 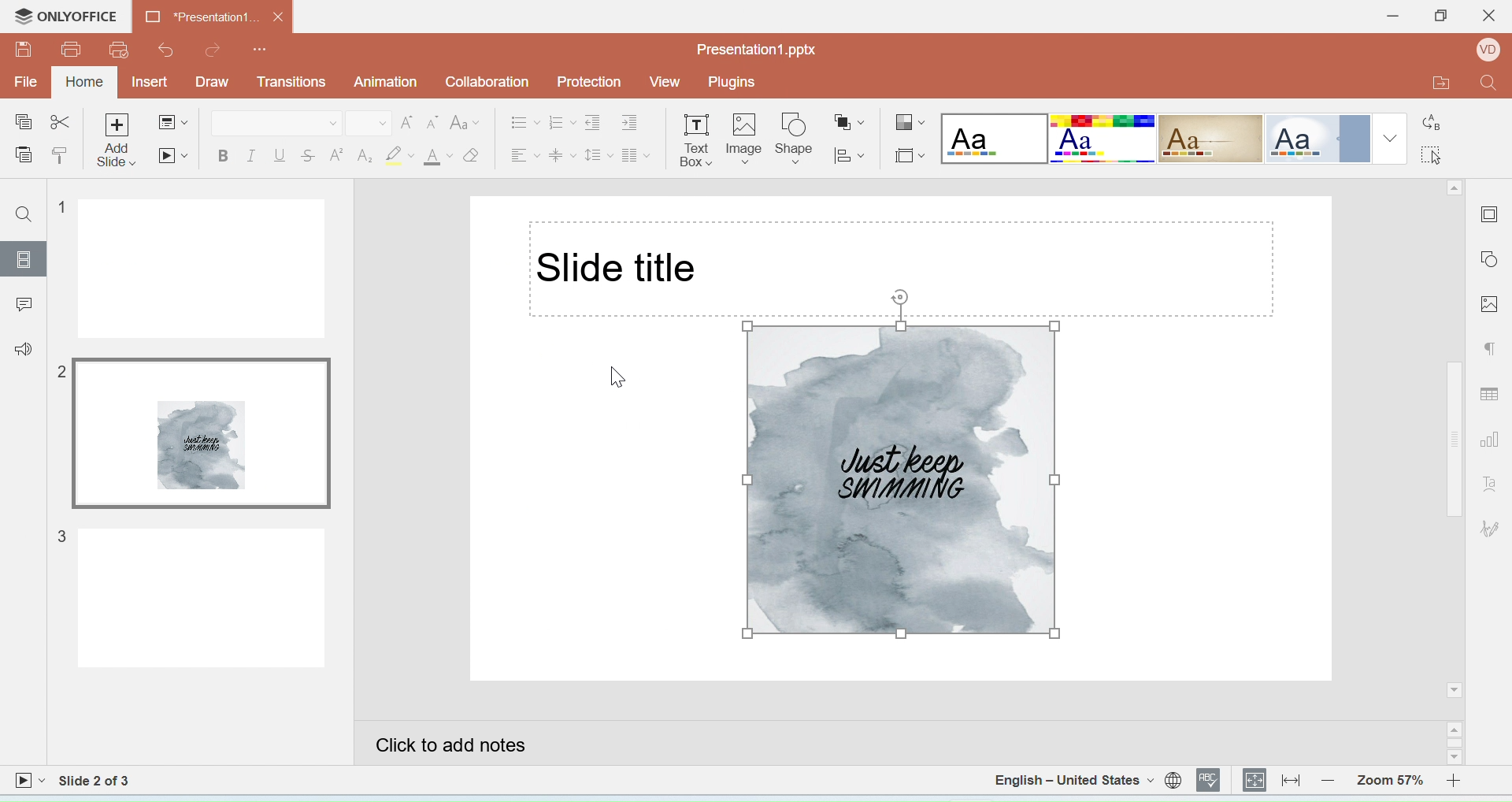 What do you see at coordinates (900, 485) in the screenshot?
I see `image is inserted` at bounding box center [900, 485].